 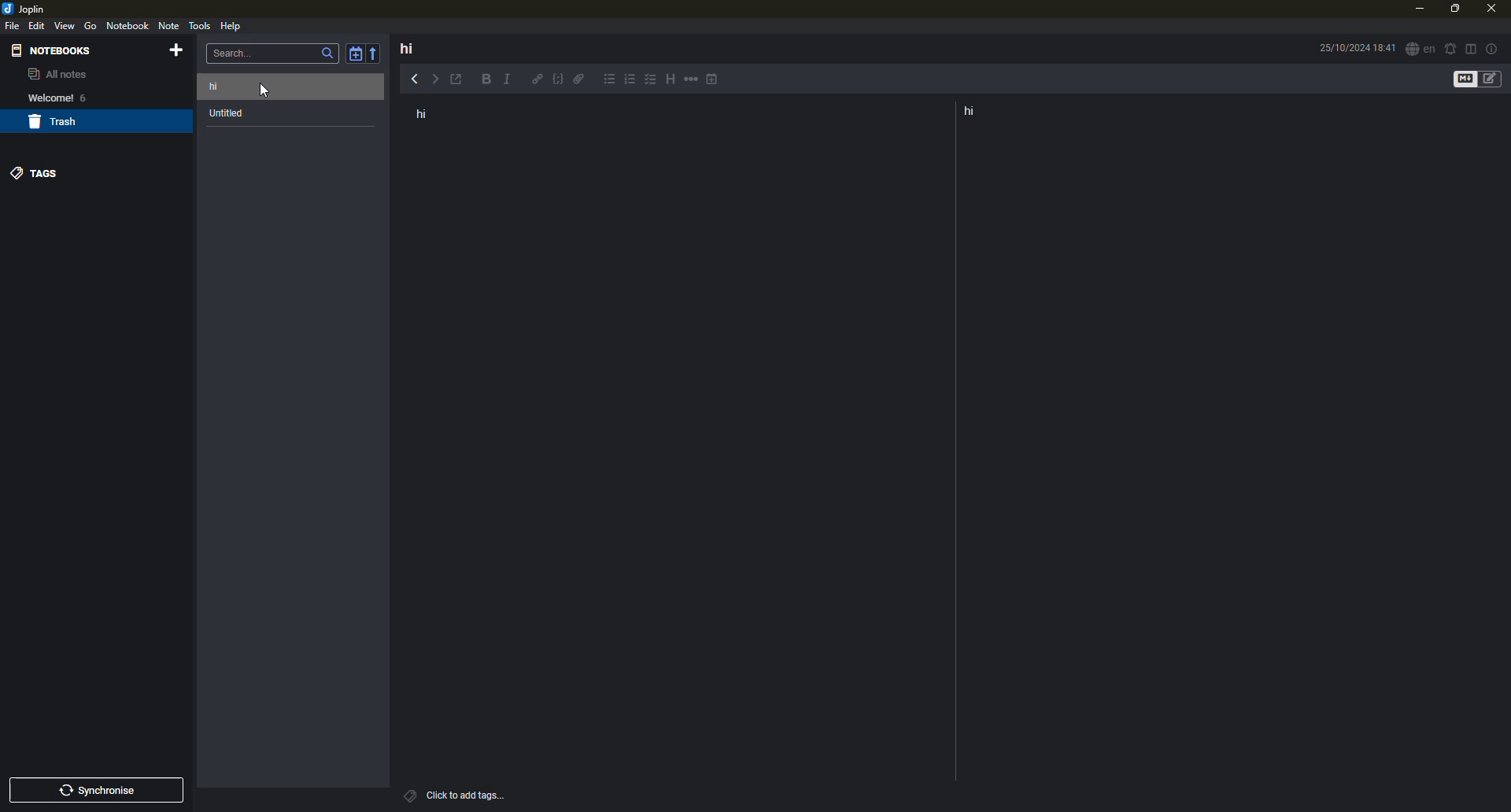 What do you see at coordinates (57, 76) in the screenshot?
I see `all notes` at bounding box center [57, 76].